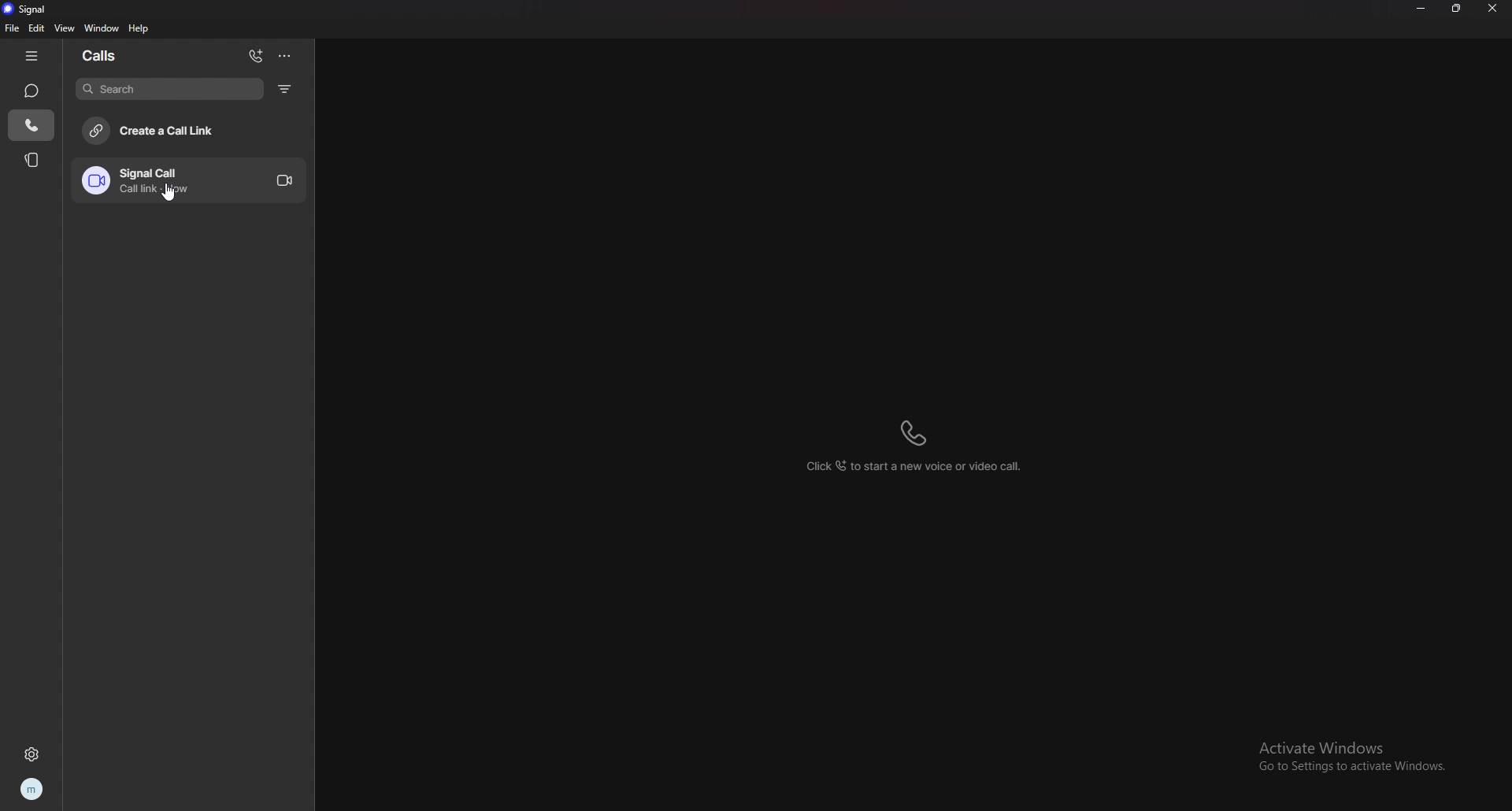 Image resolution: width=1512 pixels, height=811 pixels. Describe the element at coordinates (32, 91) in the screenshot. I see `chat` at that location.